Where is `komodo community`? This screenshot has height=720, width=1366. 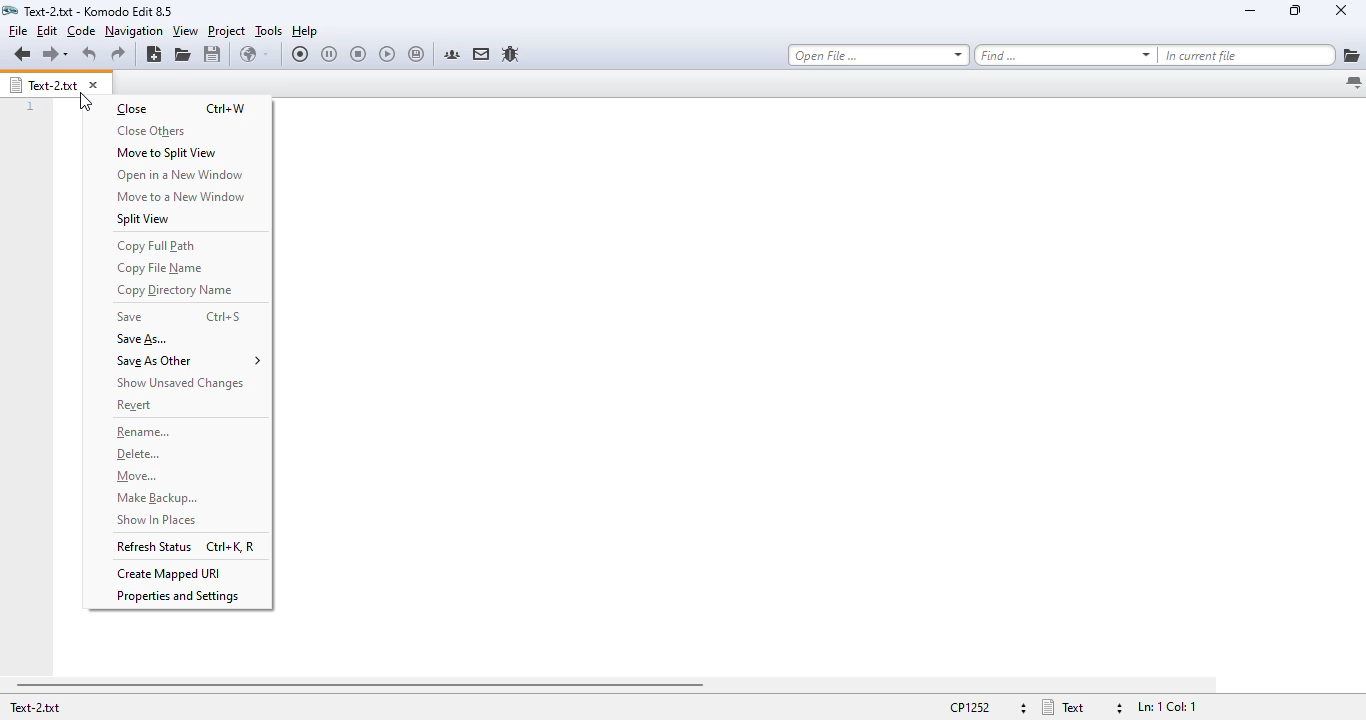
komodo community is located at coordinates (452, 54).